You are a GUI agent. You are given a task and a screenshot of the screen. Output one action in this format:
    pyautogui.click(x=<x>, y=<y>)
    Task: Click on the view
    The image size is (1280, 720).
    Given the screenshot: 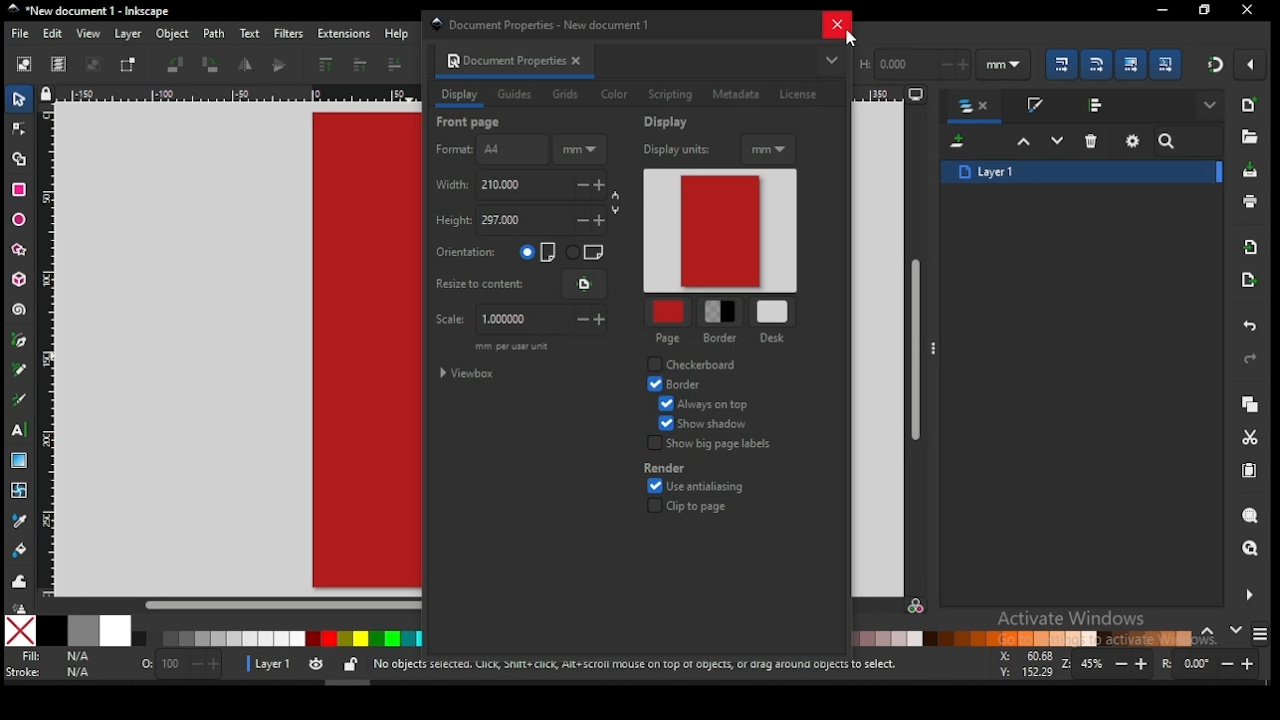 What is the action you would take?
    pyautogui.click(x=91, y=34)
    